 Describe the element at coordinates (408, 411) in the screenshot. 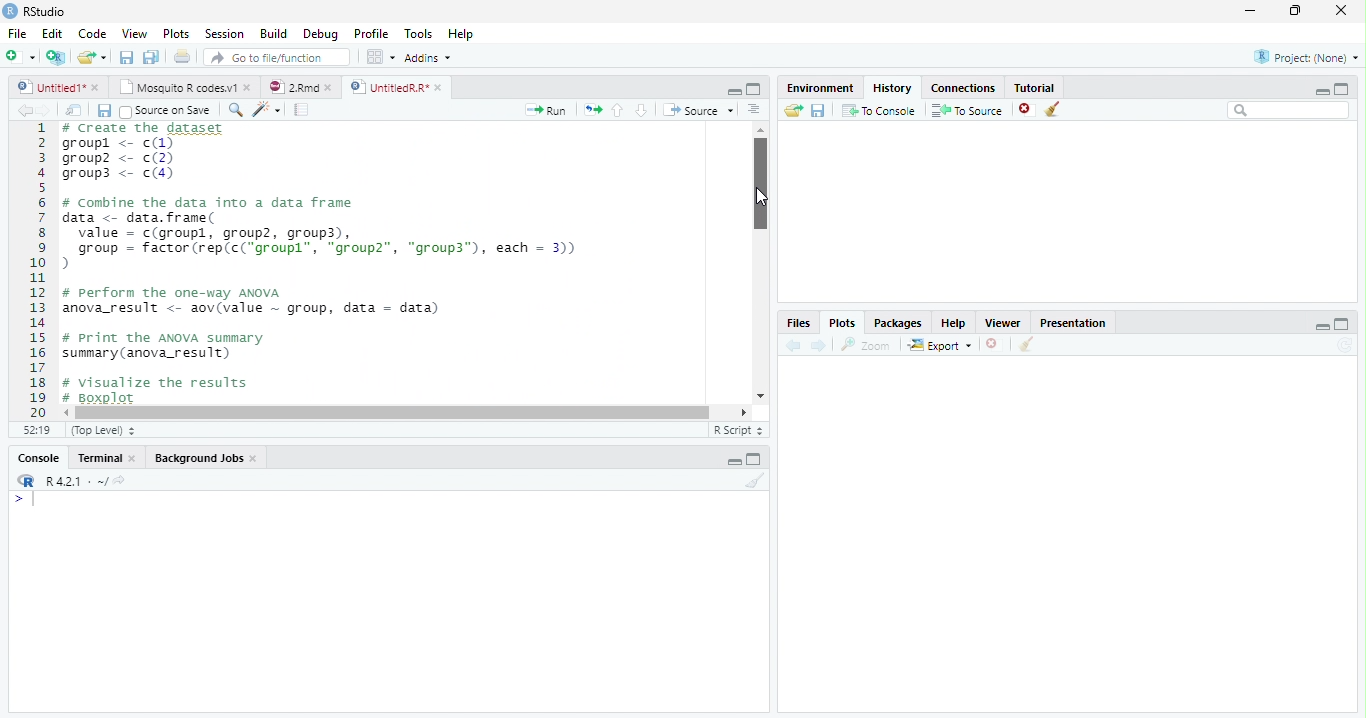

I see `Scrollbar` at that location.